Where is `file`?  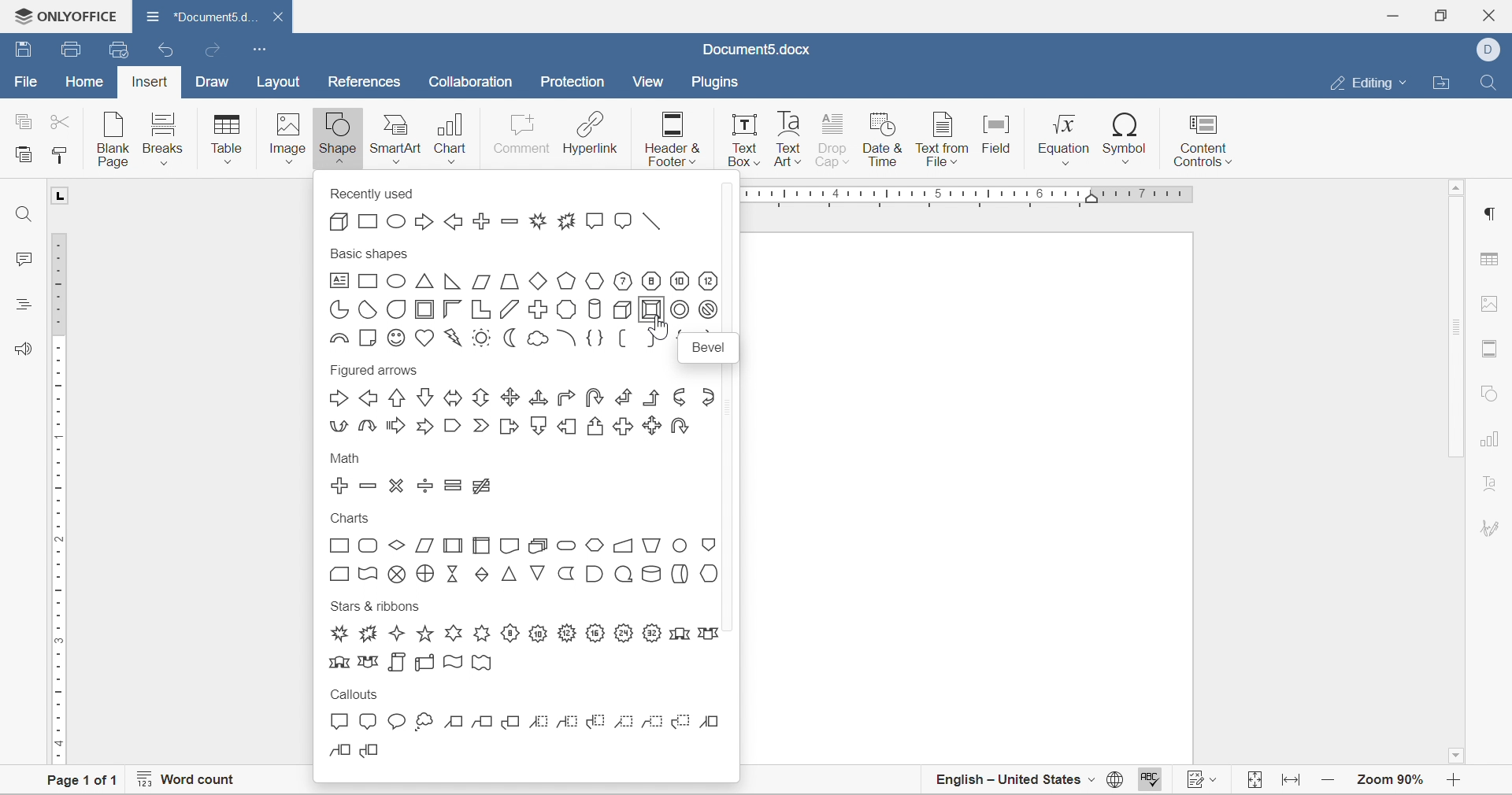 file is located at coordinates (26, 80).